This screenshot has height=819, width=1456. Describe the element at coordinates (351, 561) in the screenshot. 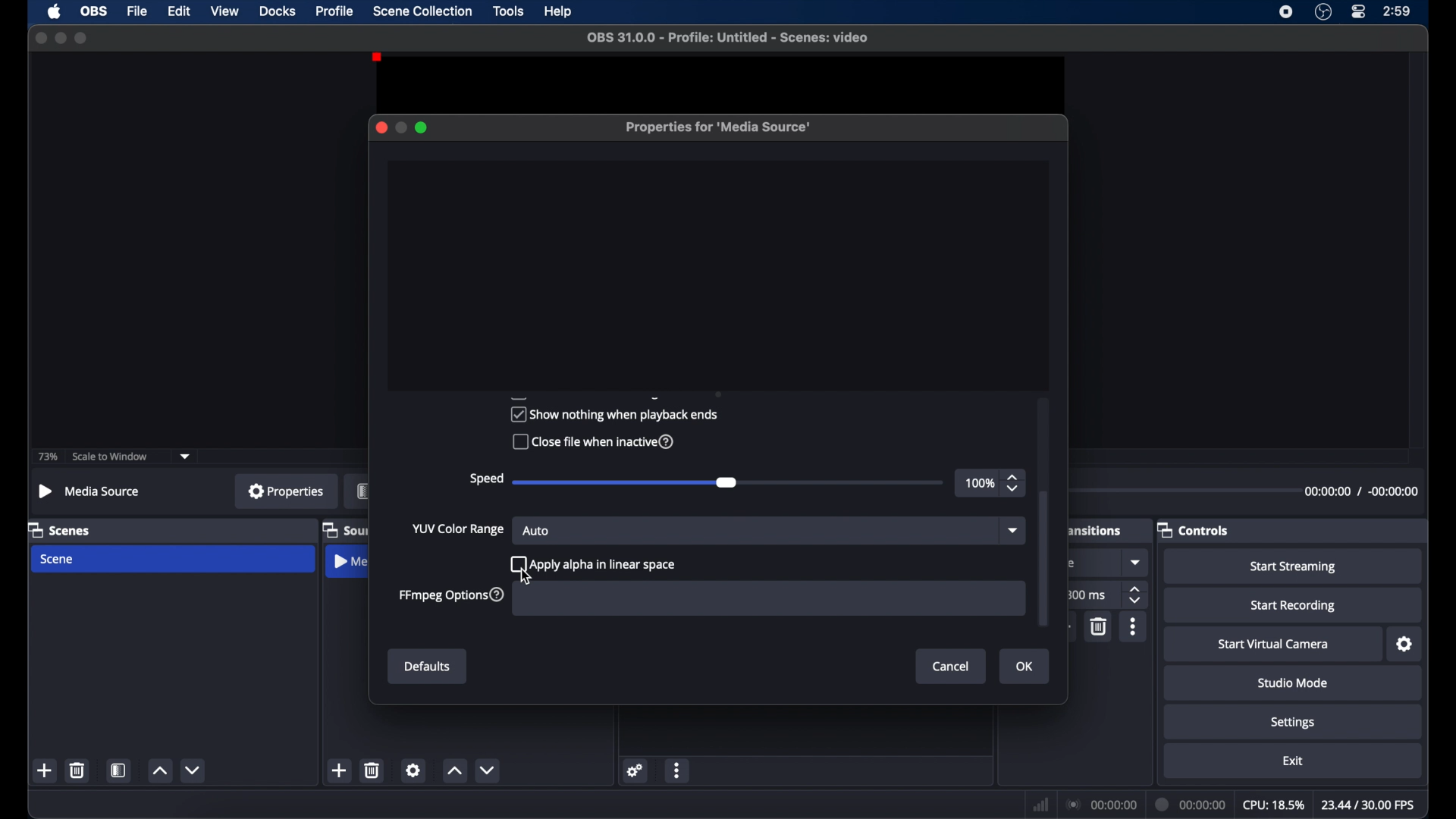

I see `obscure label` at that location.